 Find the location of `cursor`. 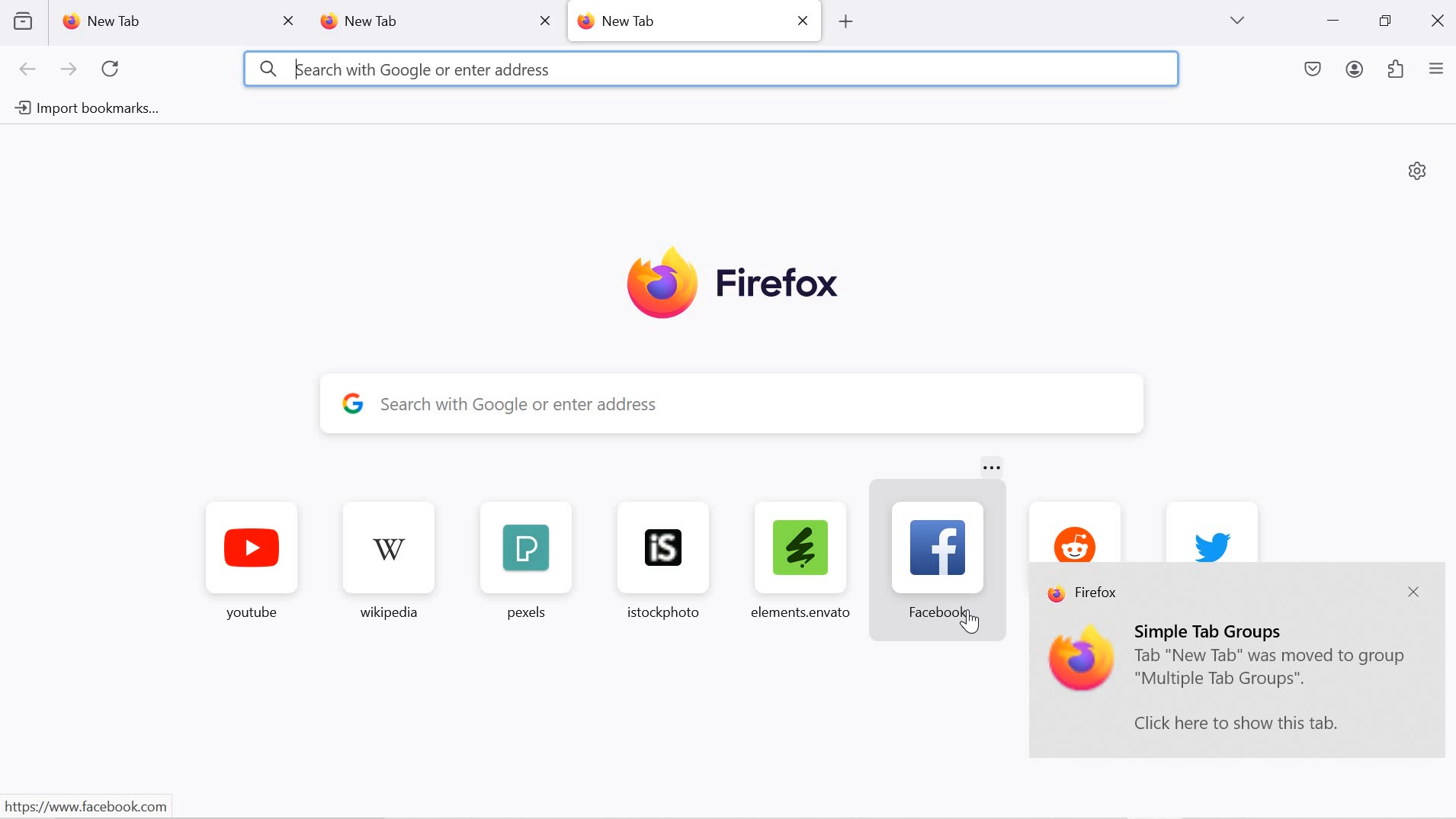

cursor is located at coordinates (971, 625).